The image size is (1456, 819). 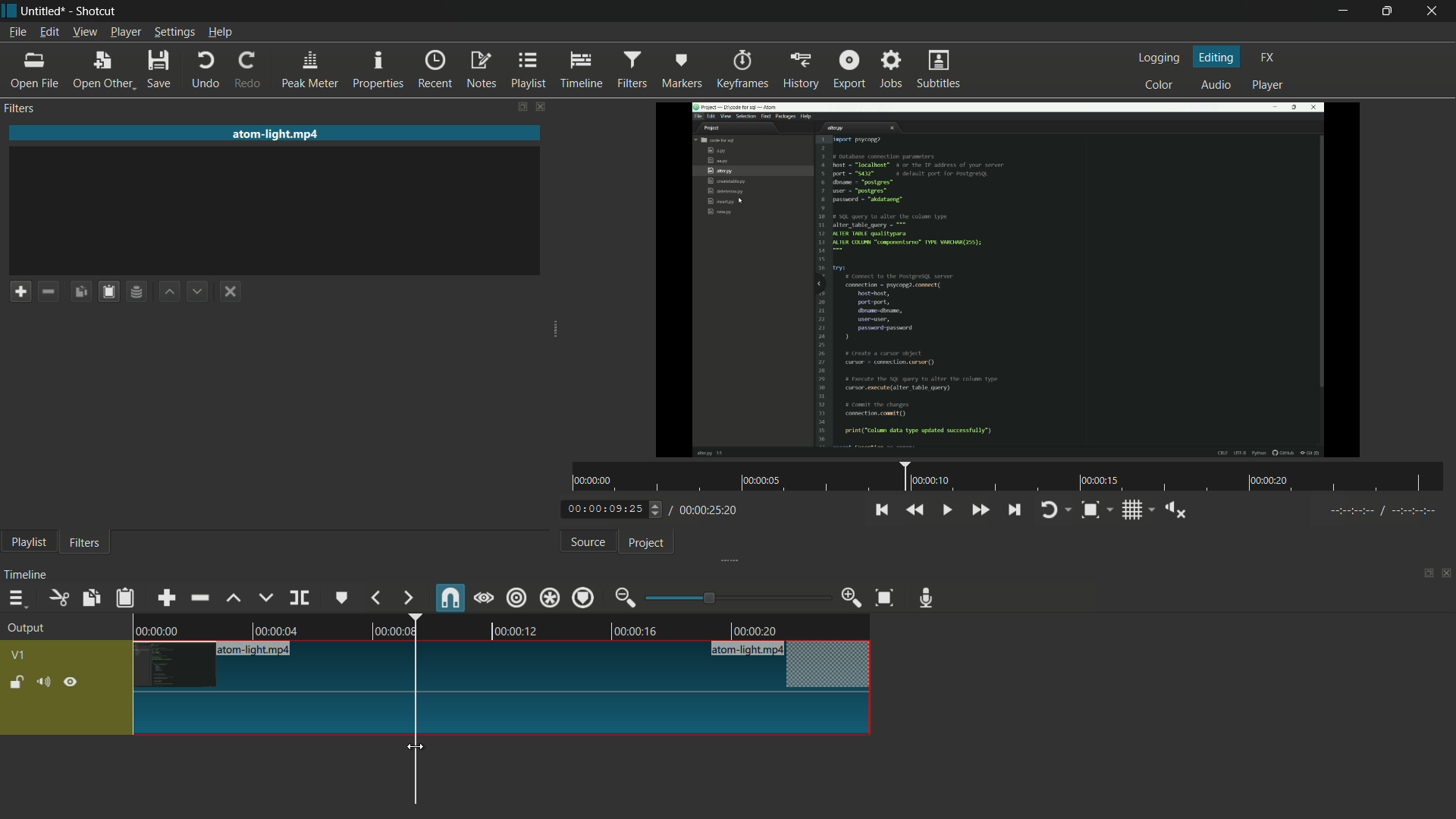 What do you see at coordinates (610, 510) in the screenshot?
I see `current time` at bounding box center [610, 510].